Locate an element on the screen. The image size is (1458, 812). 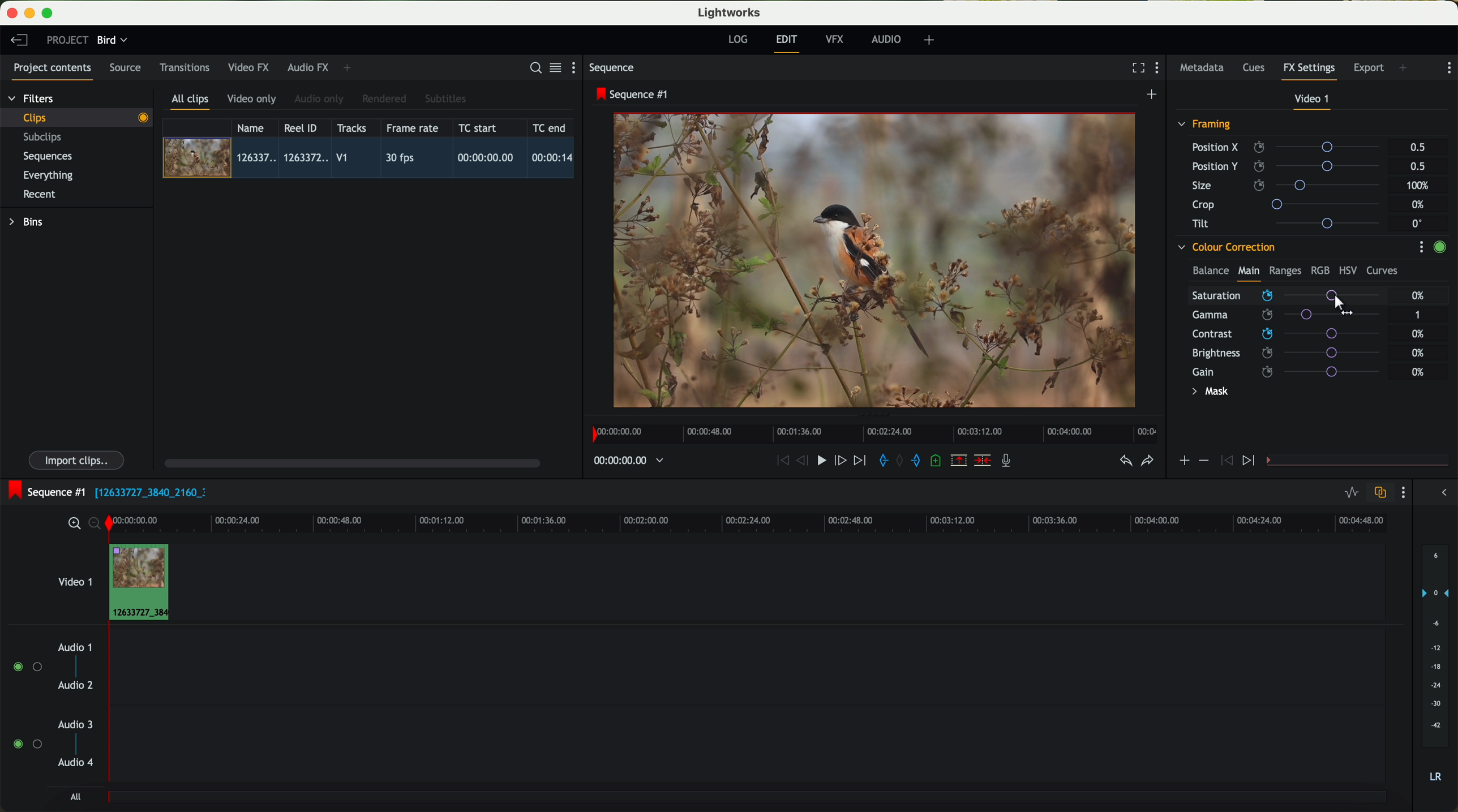
all is located at coordinates (75, 797).